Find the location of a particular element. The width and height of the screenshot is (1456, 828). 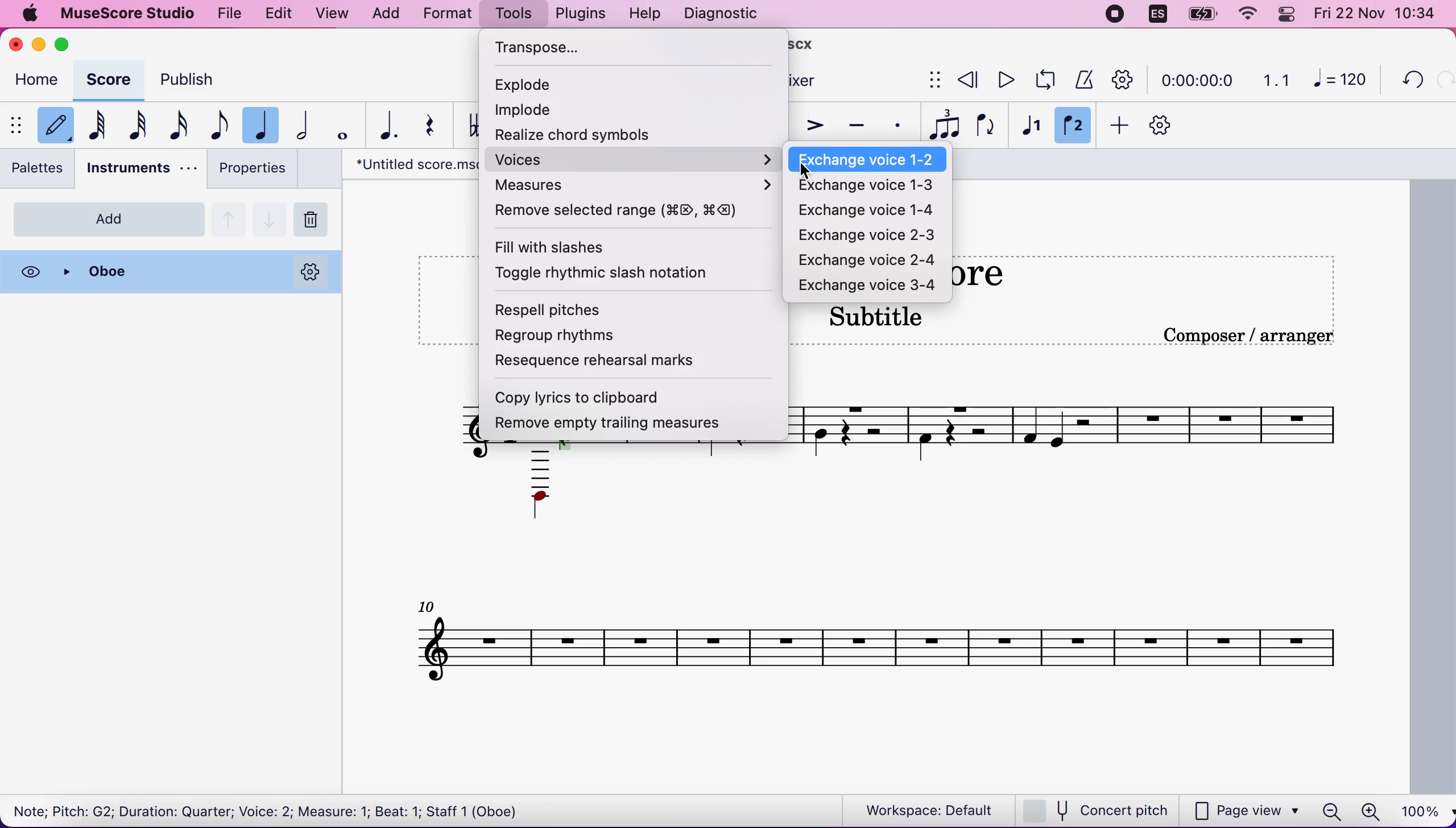

undo is located at coordinates (1408, 82).